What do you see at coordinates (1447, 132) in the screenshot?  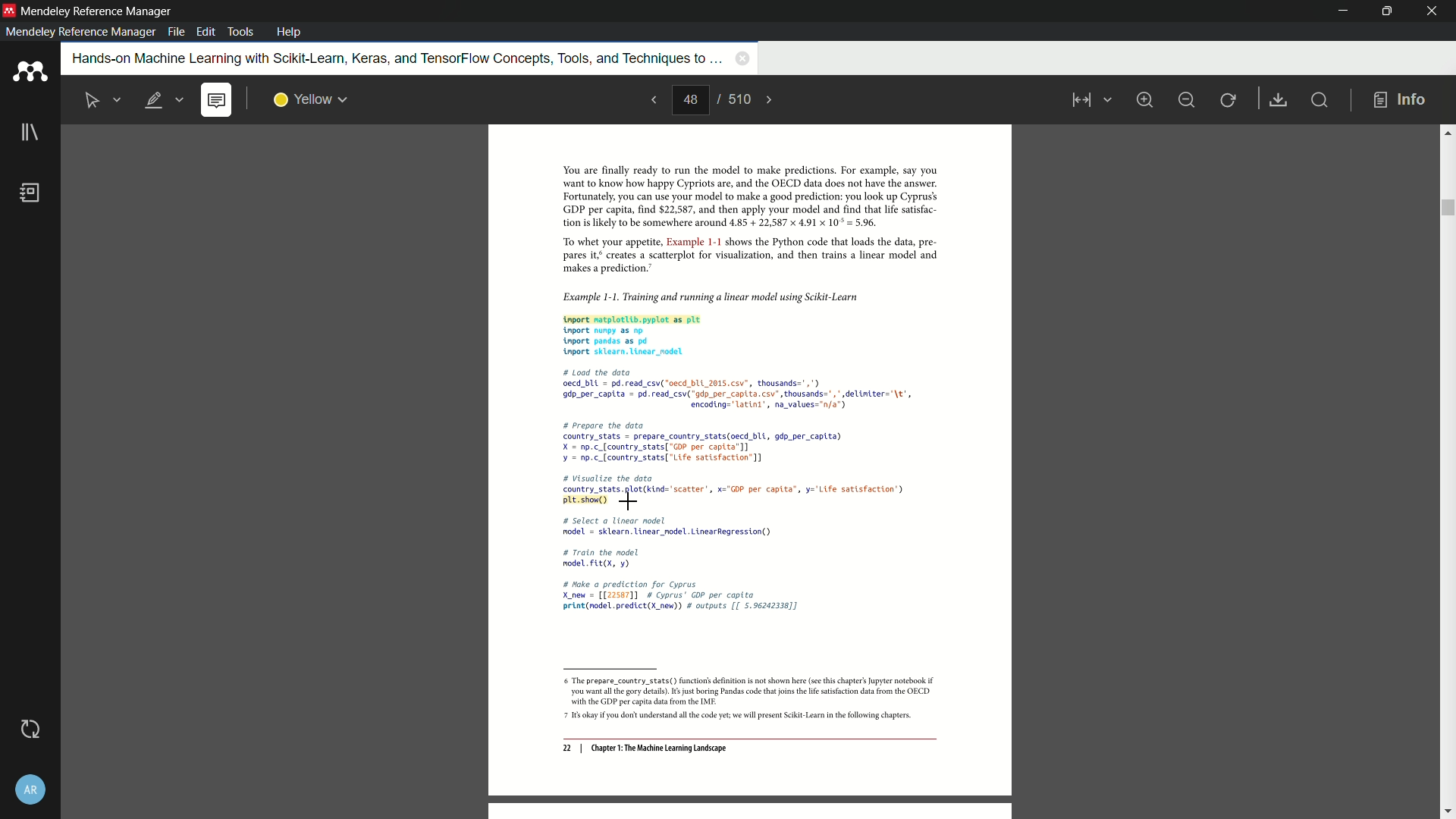 I see `scroll up` at bounding box center [1447, 132].